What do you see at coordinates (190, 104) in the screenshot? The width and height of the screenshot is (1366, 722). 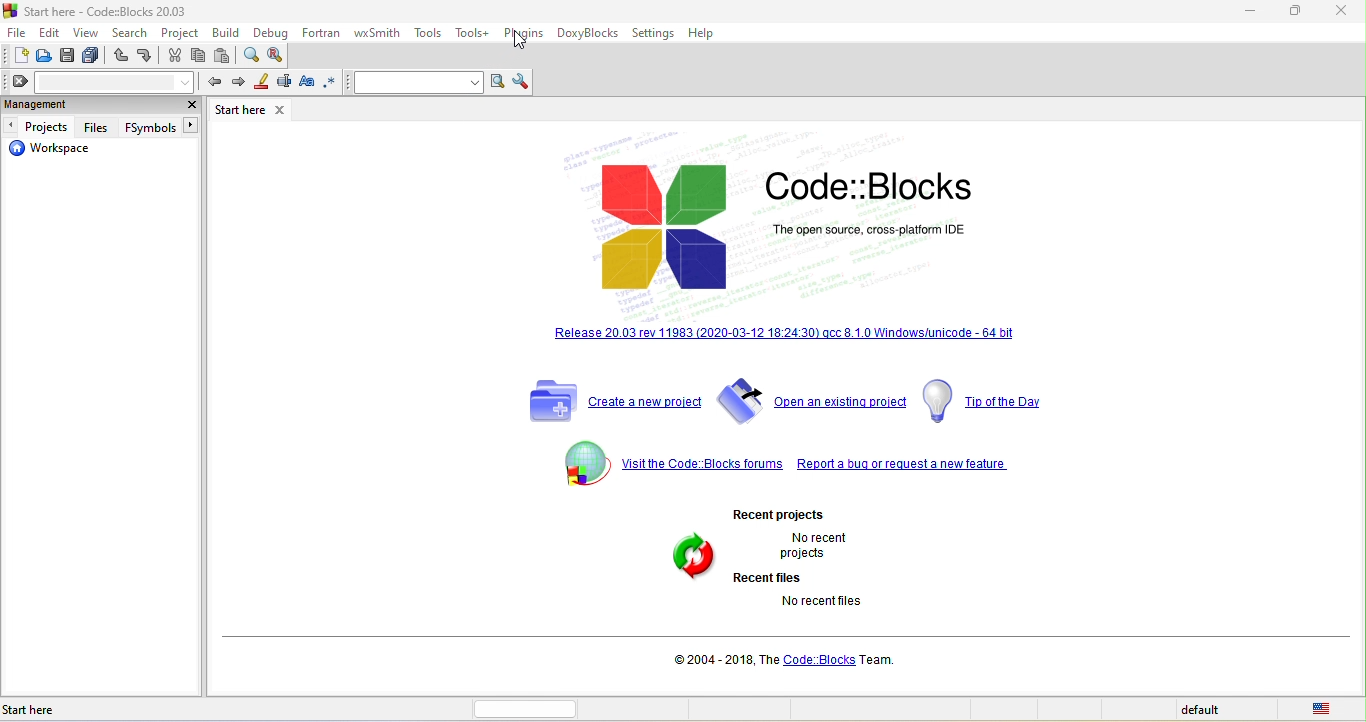 I see `close` at bounding box center [190, 104].